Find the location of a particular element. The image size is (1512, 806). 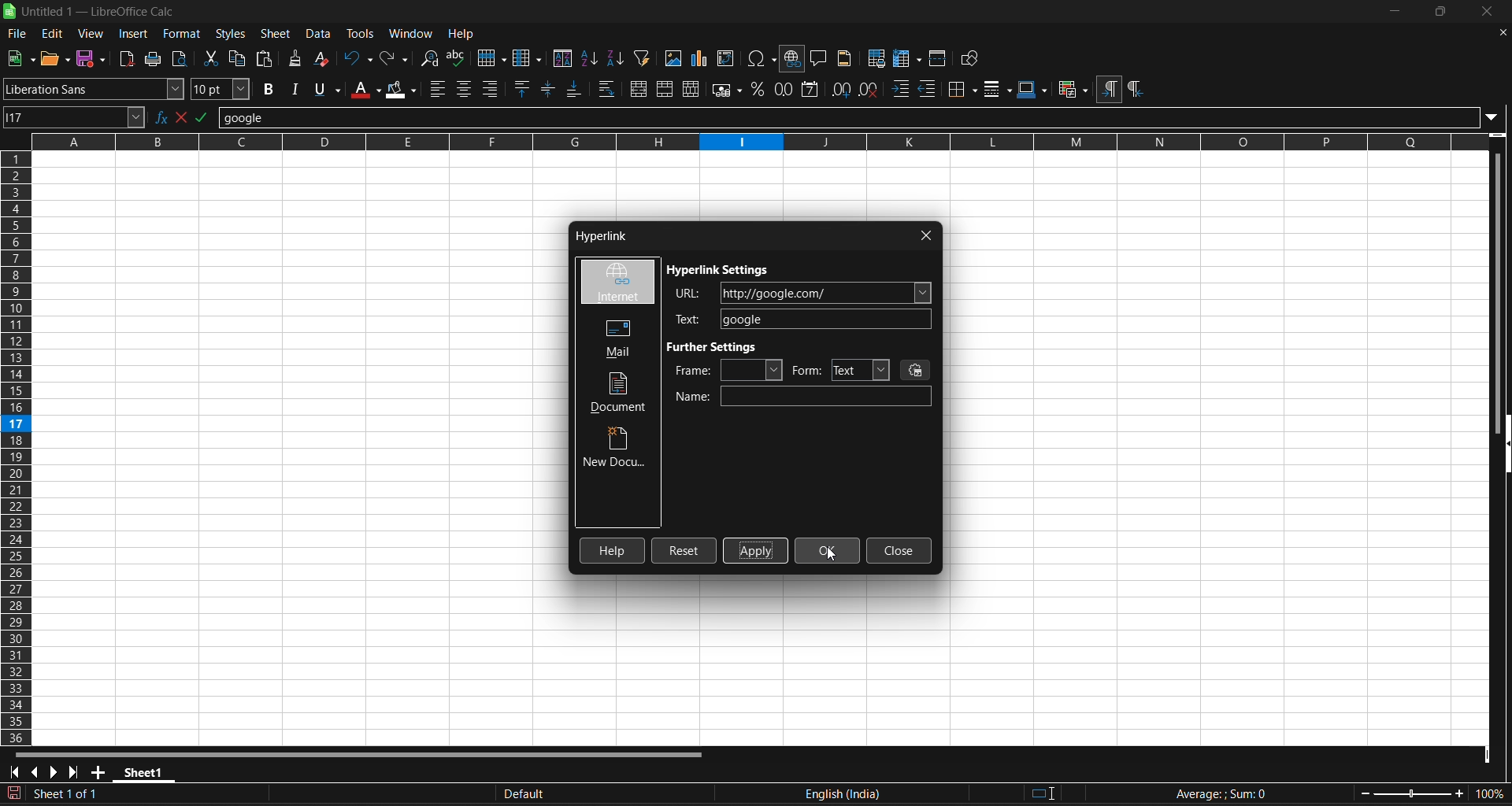

select function is located at coordinates (187, 117).